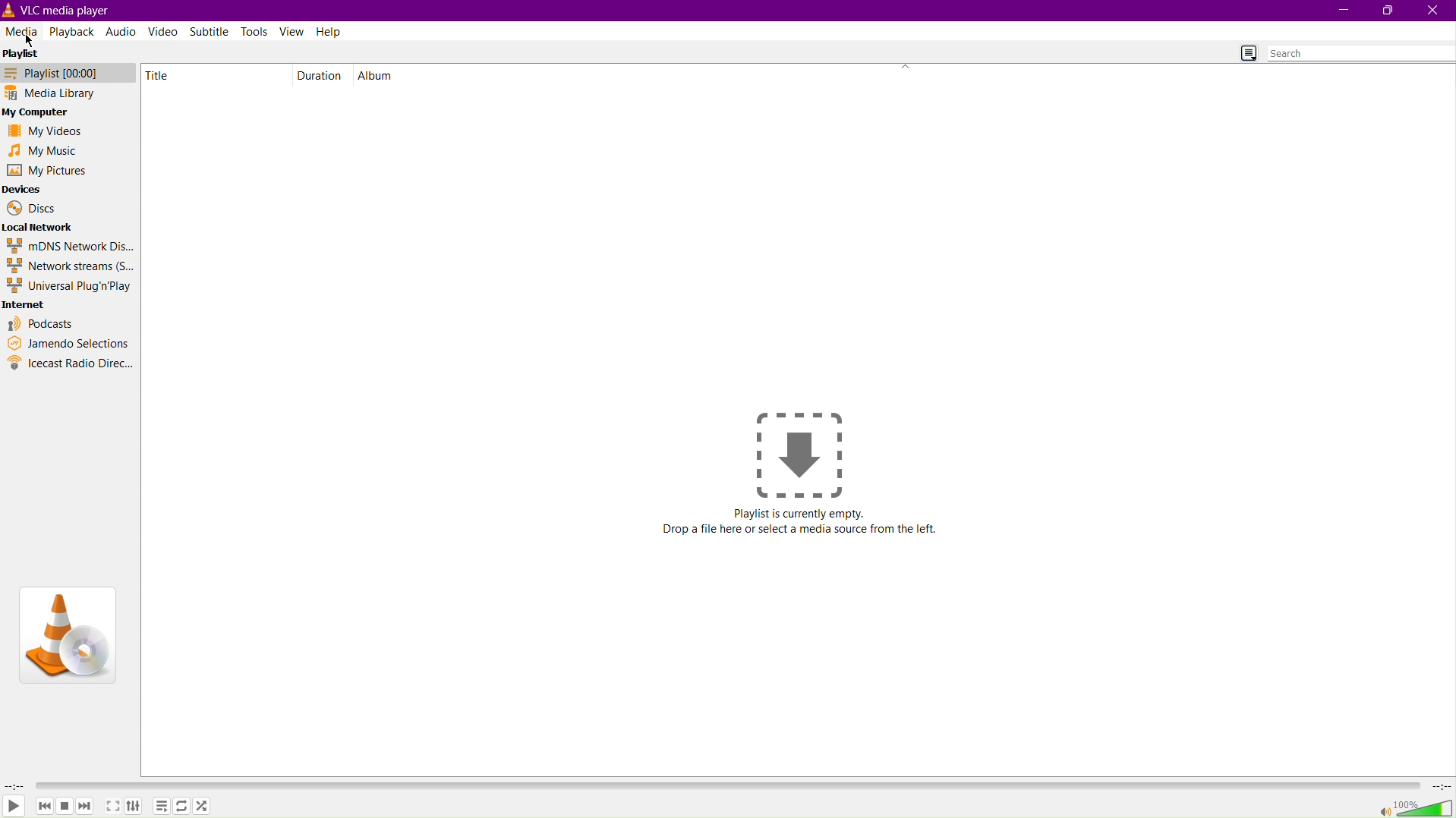 The height and width of the screenshot is (818, 1456). What do you see at coordinates (70, 364) in the screenshot?
I see `Icecast Radio Directory` at bounding box center [70, 364].